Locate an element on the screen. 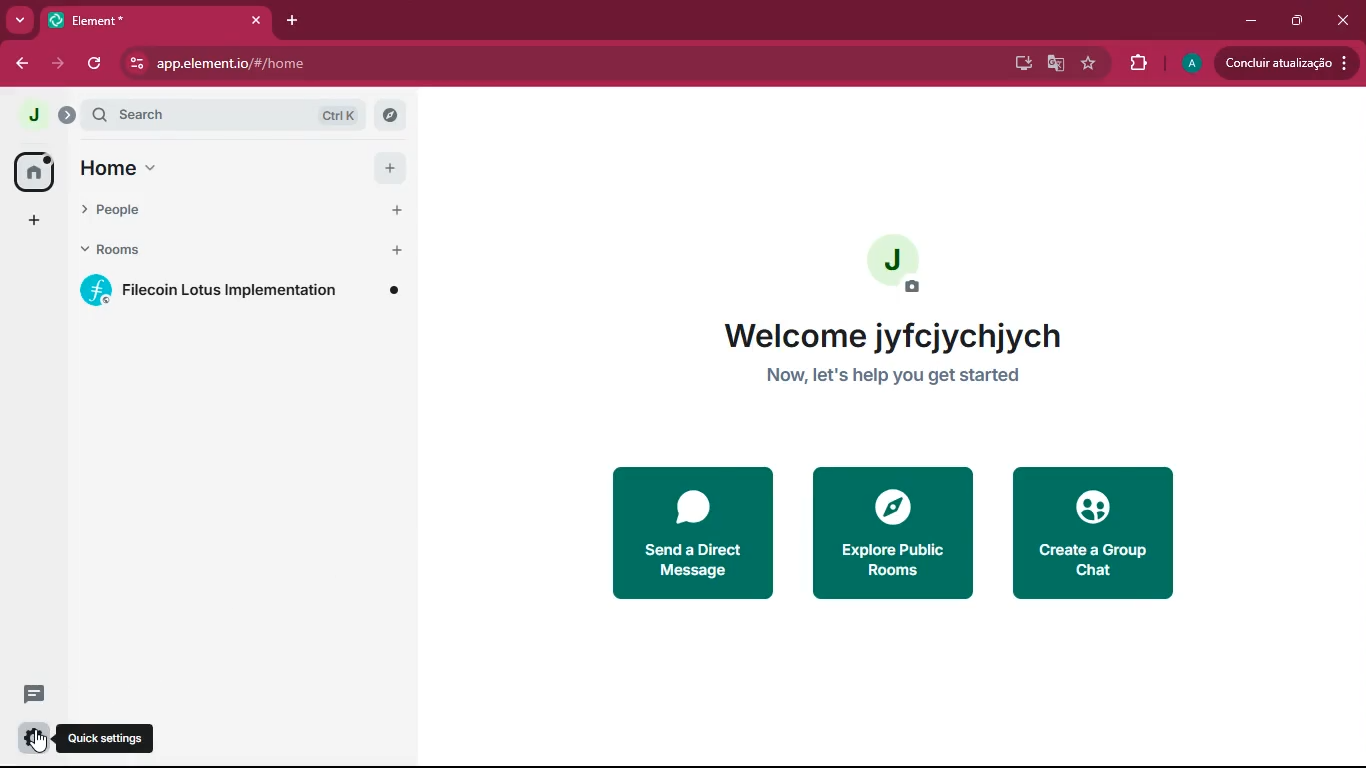 Image resolution: width=1366 pixels, height=768 pixels. forward is located at coordinates (55, 64).